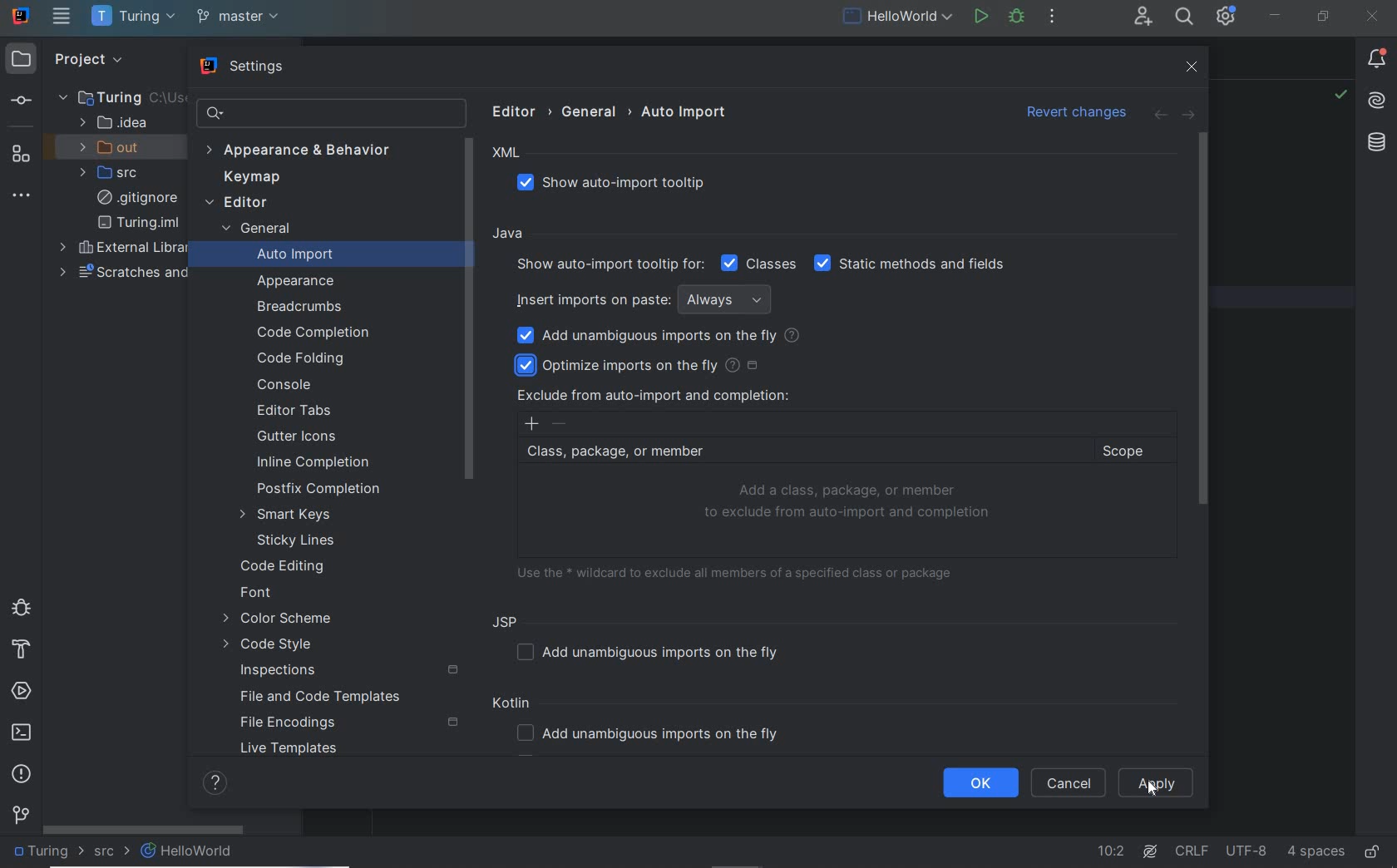 The width and height of the screenshot is (1397, 868). I want to click on LINE SEPARATOR, so click(1192, 848).